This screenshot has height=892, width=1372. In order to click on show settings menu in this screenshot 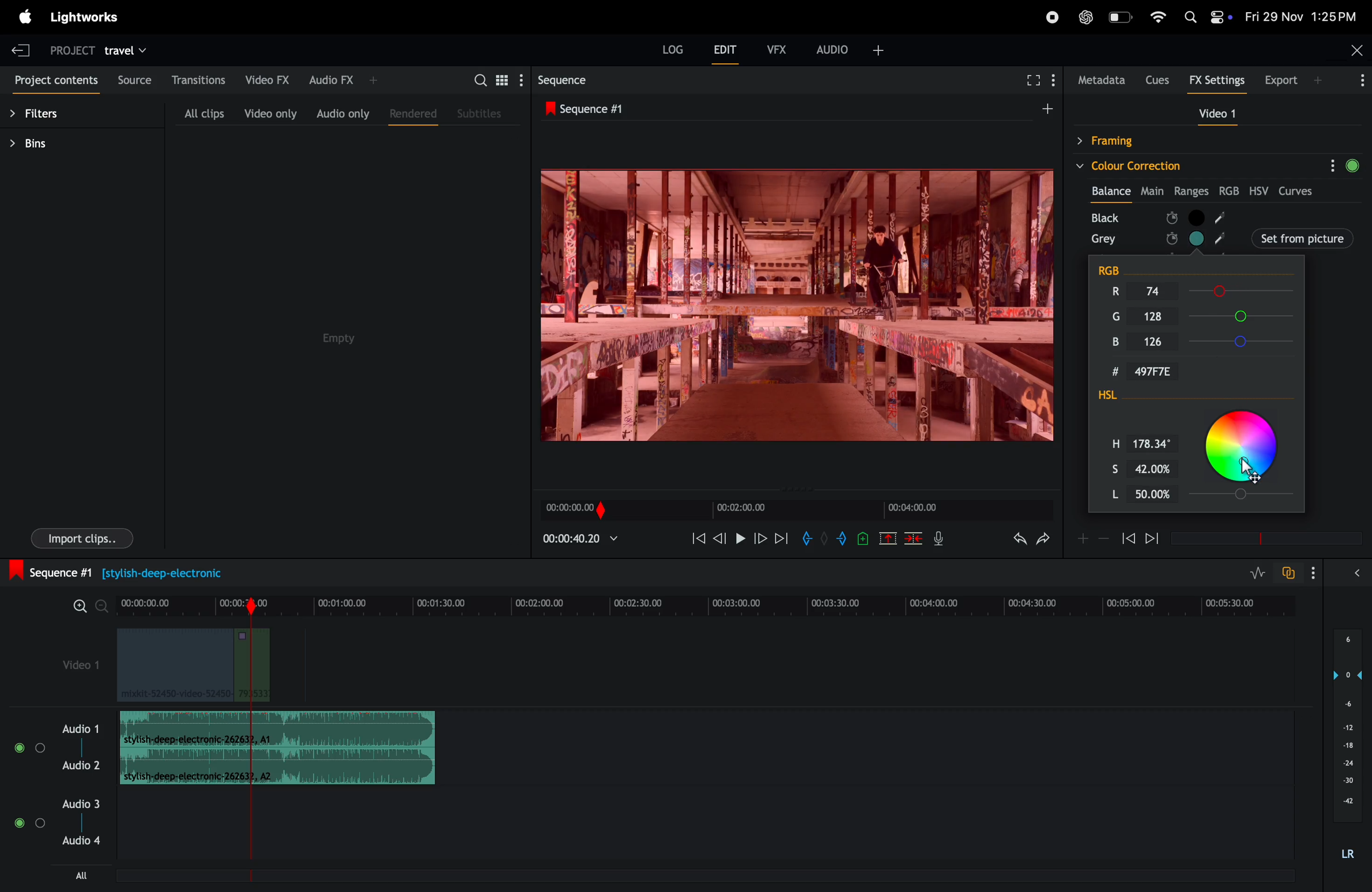, I will do `click(525, 79)`.